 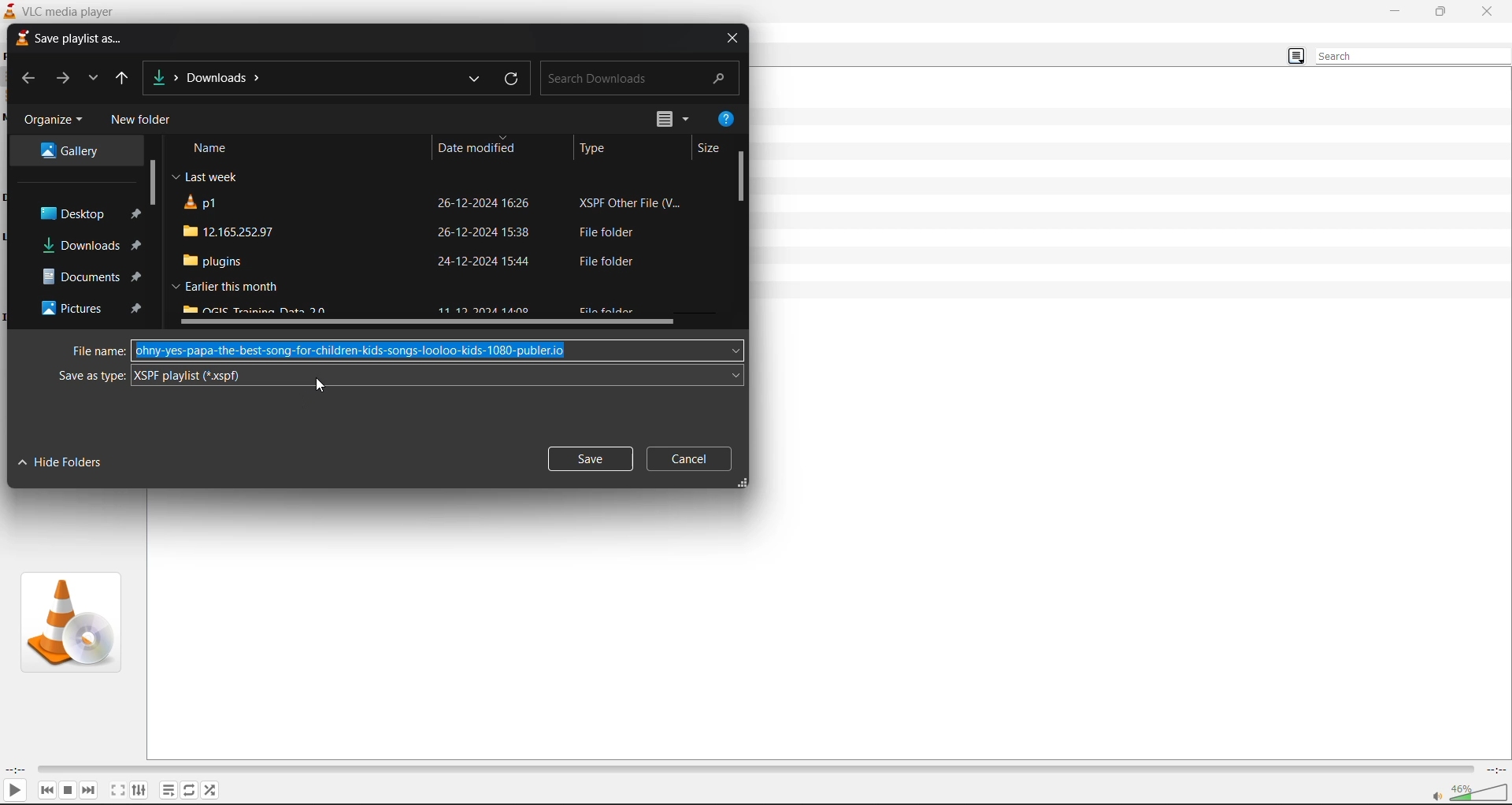 What do you see at coordinates (127, 80) in the screenshot?
I see `up to desktop` at bounding box center [127, 80].